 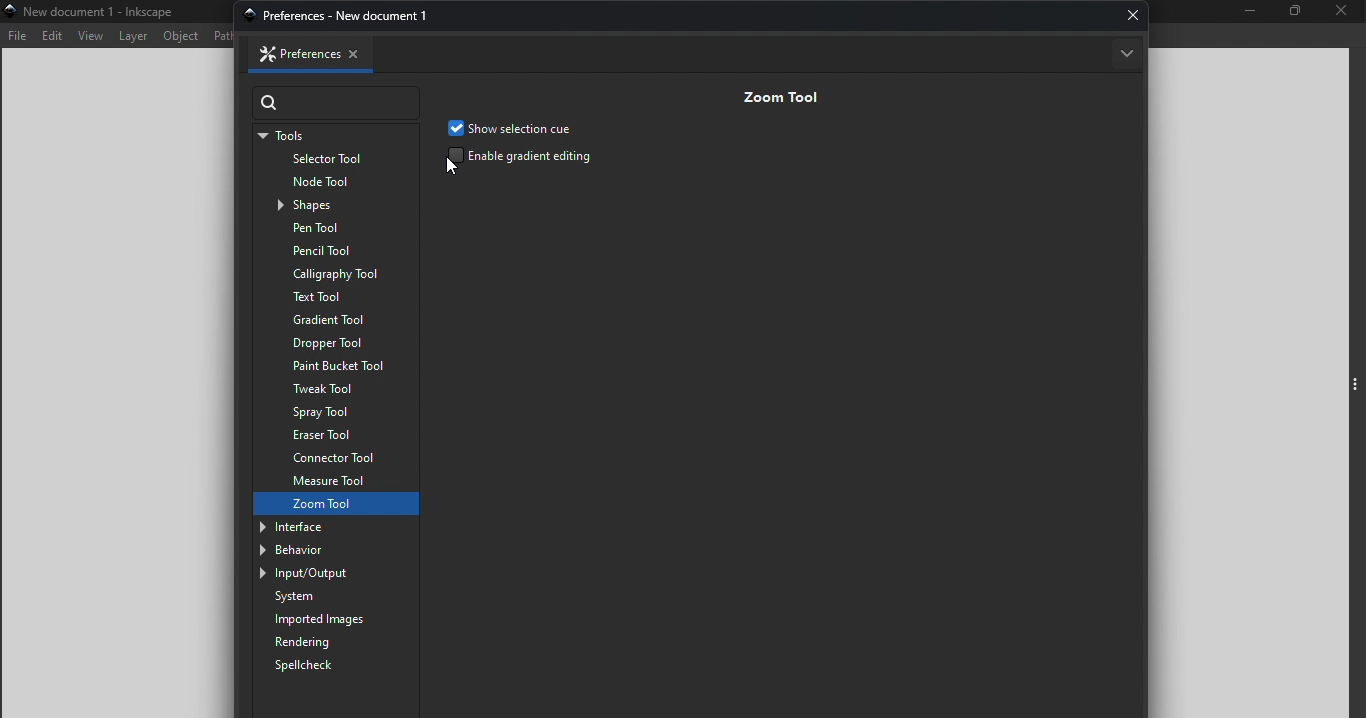 I want to click on Behavior, so click(x=311, y=548).